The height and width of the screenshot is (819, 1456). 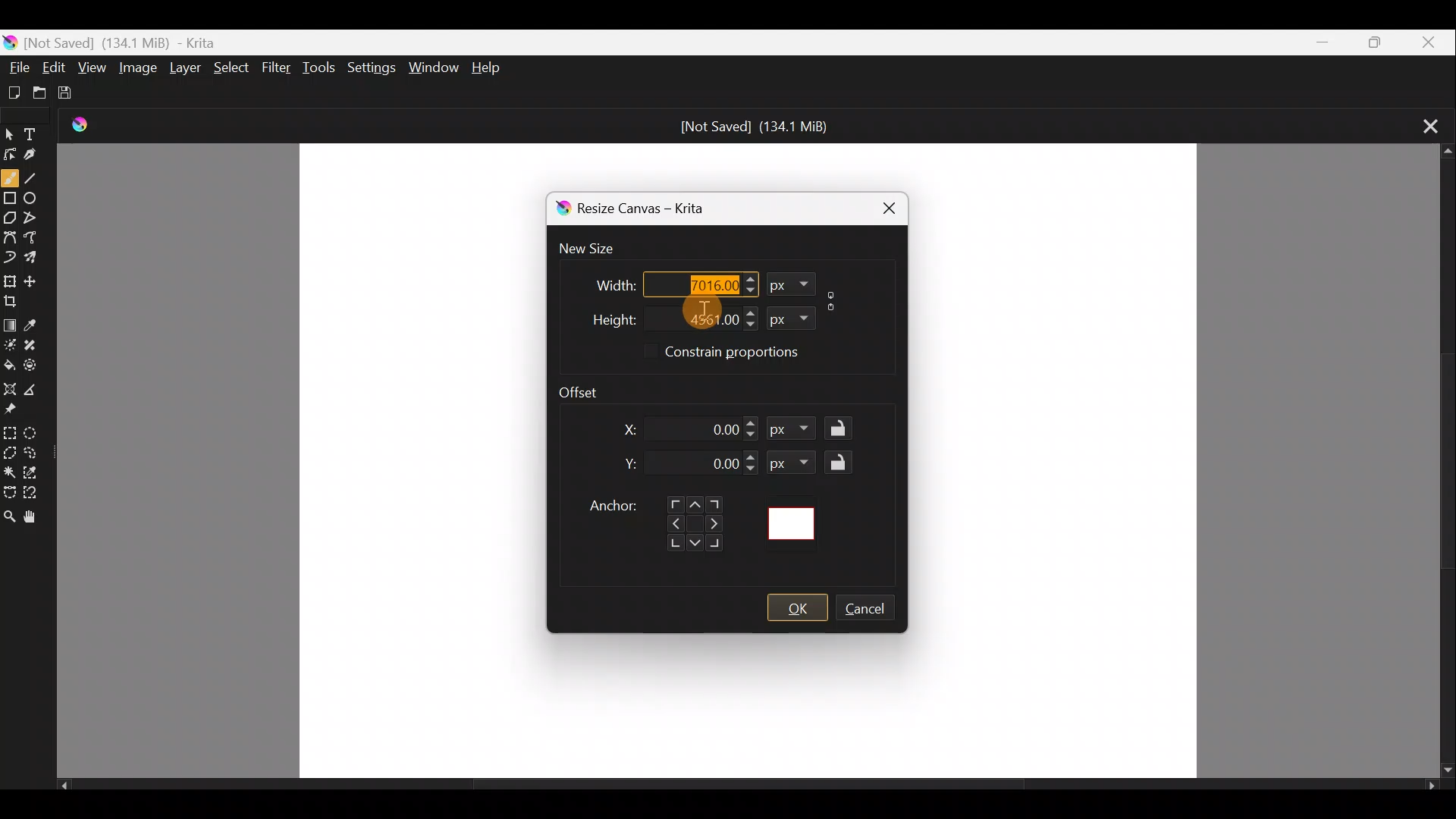 What do you see at coordinates (749, 290) in the screenshot?
I see `Decrease width` at bounding box center [749, 290].